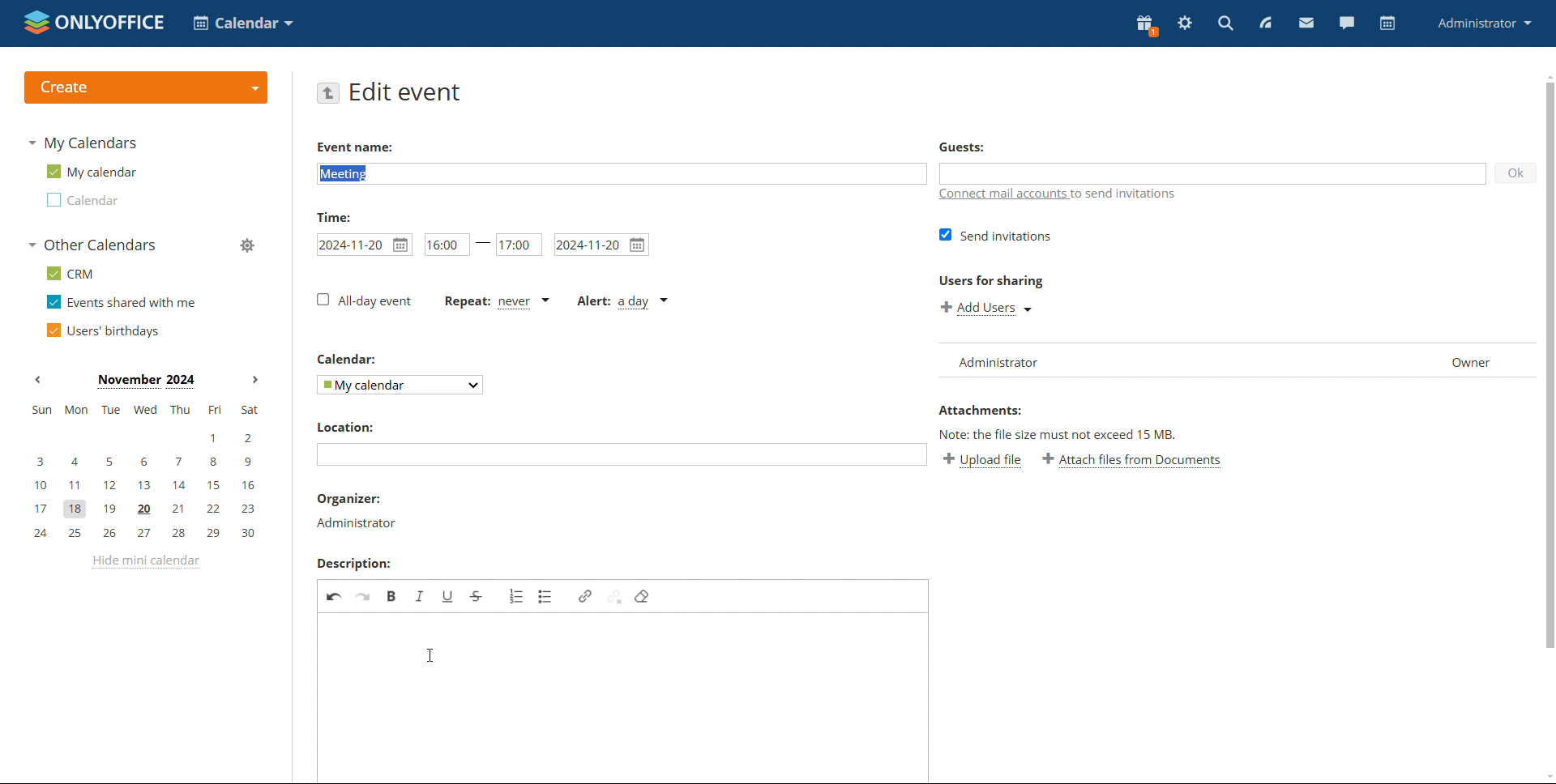 The height and width of the screenshot is (784, 1556). What do you see at coordinates (1483, 23) in the screenshot?
I see `profile` at bounding box center [1483, 23].